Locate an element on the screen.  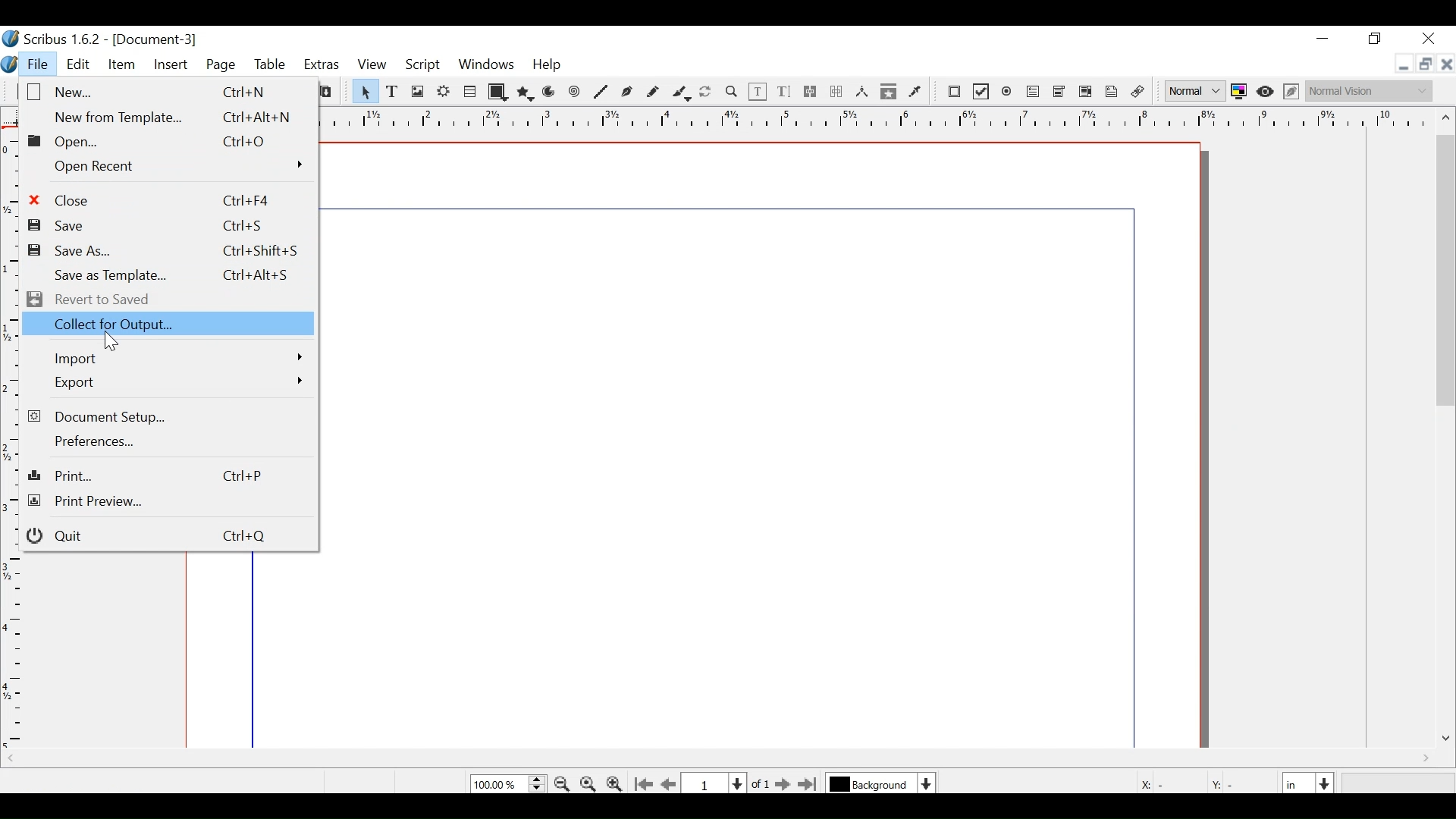
Save As is located at coordinates (165, 252).